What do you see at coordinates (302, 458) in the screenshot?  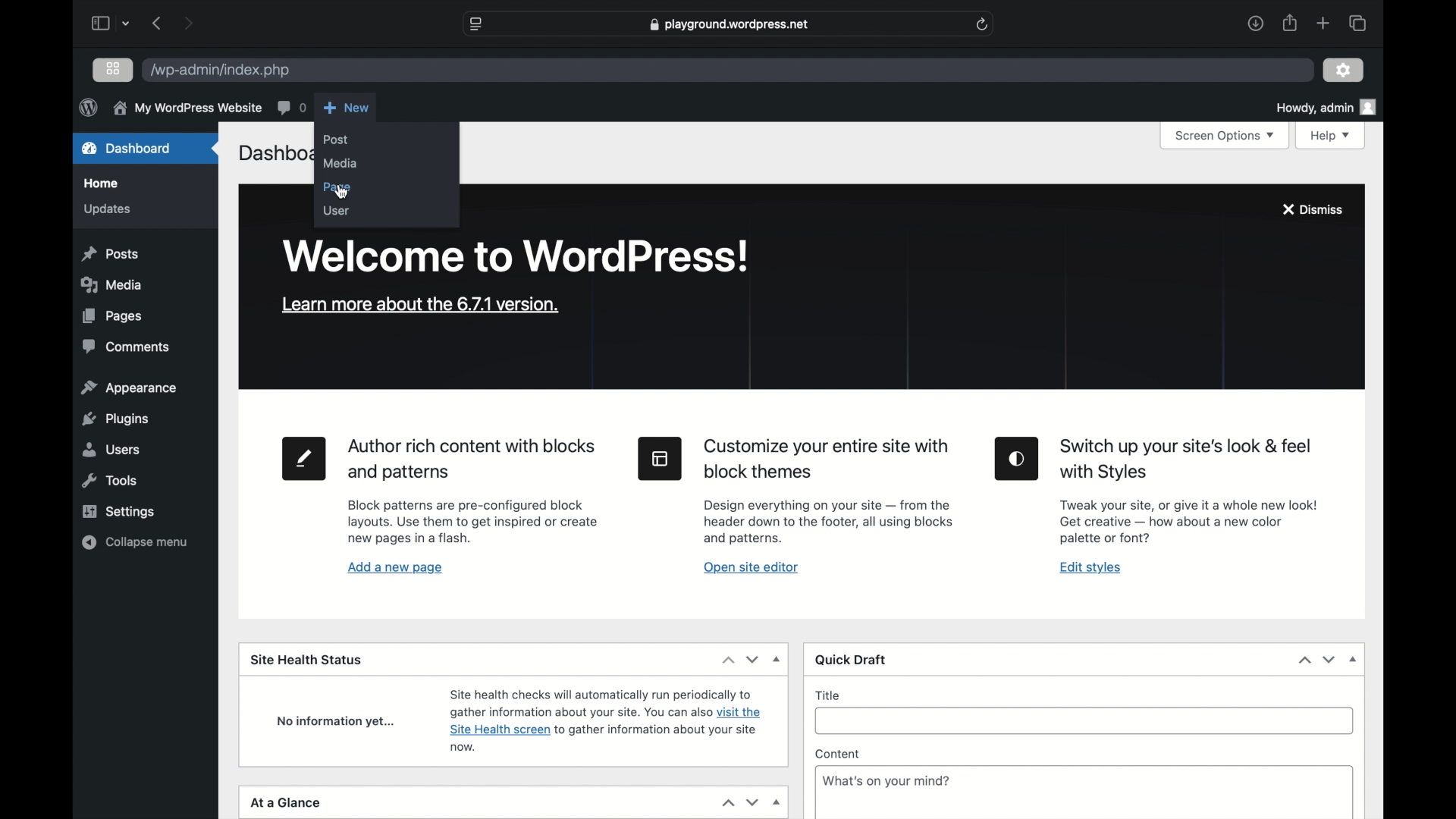 I see `new page` at bounding box center [302, 458].